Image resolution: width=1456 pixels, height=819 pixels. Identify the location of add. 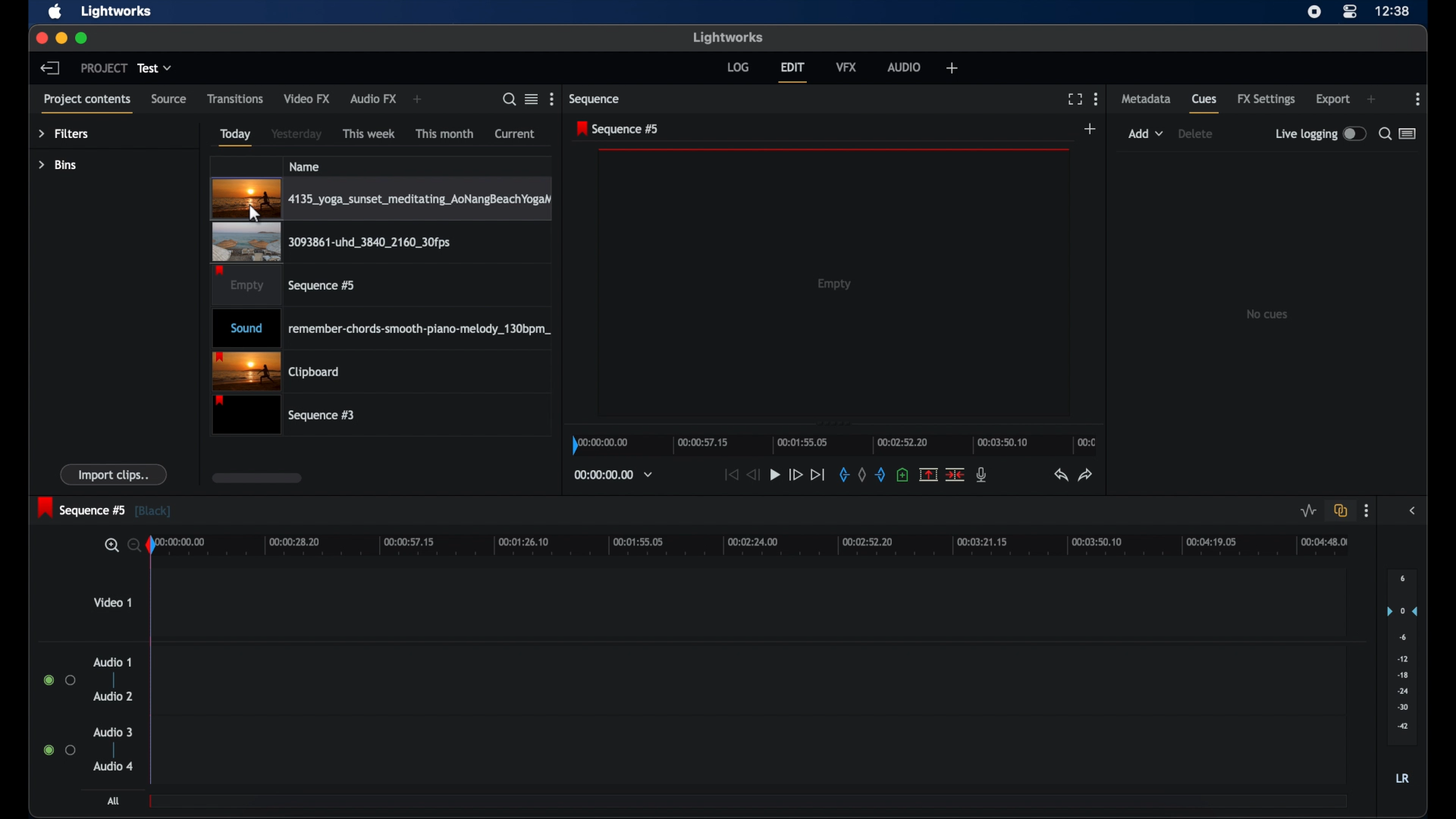
(1371, 99).